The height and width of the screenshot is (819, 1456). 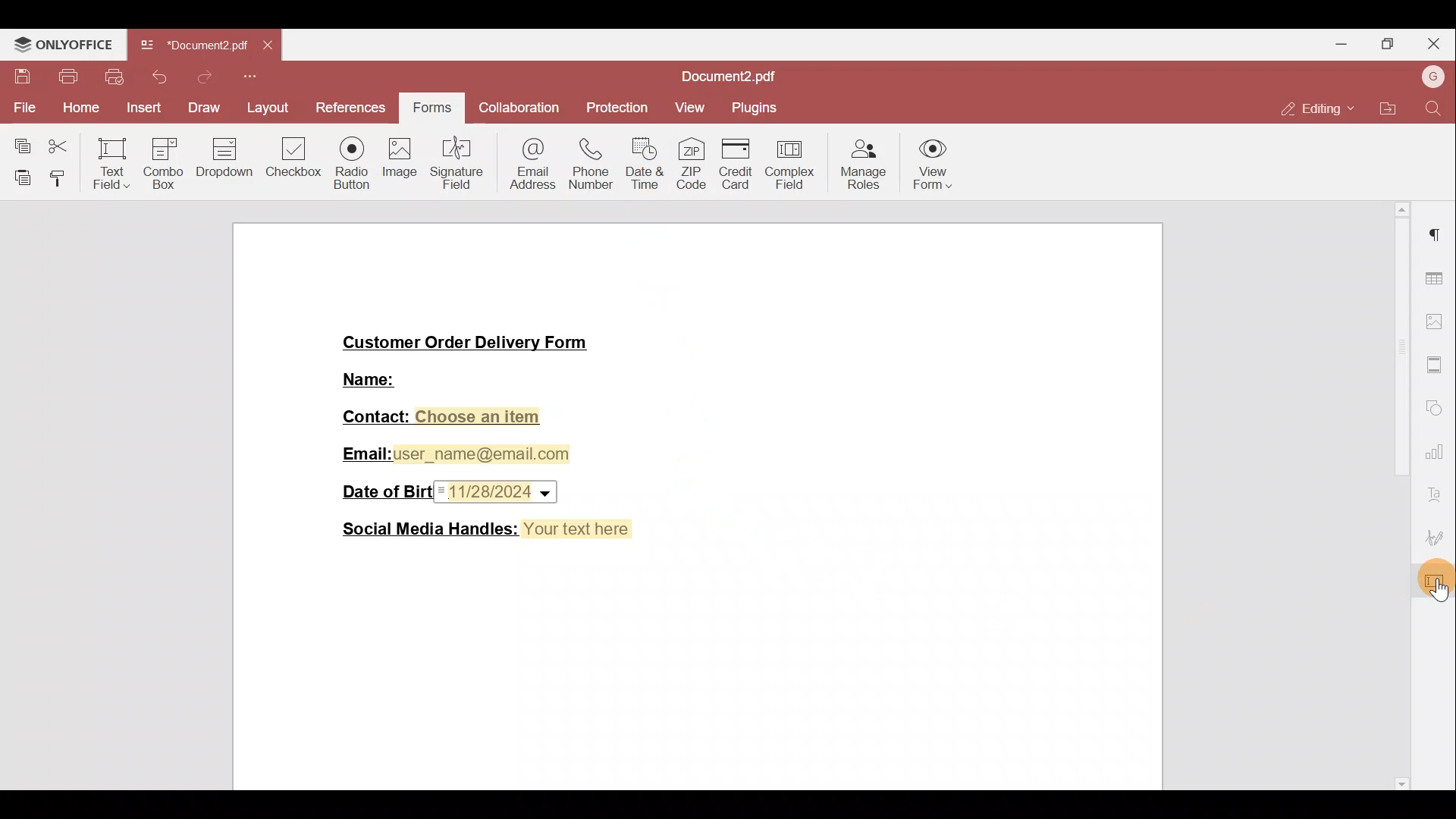 I want to click on Image, so click(x=400, y=163).